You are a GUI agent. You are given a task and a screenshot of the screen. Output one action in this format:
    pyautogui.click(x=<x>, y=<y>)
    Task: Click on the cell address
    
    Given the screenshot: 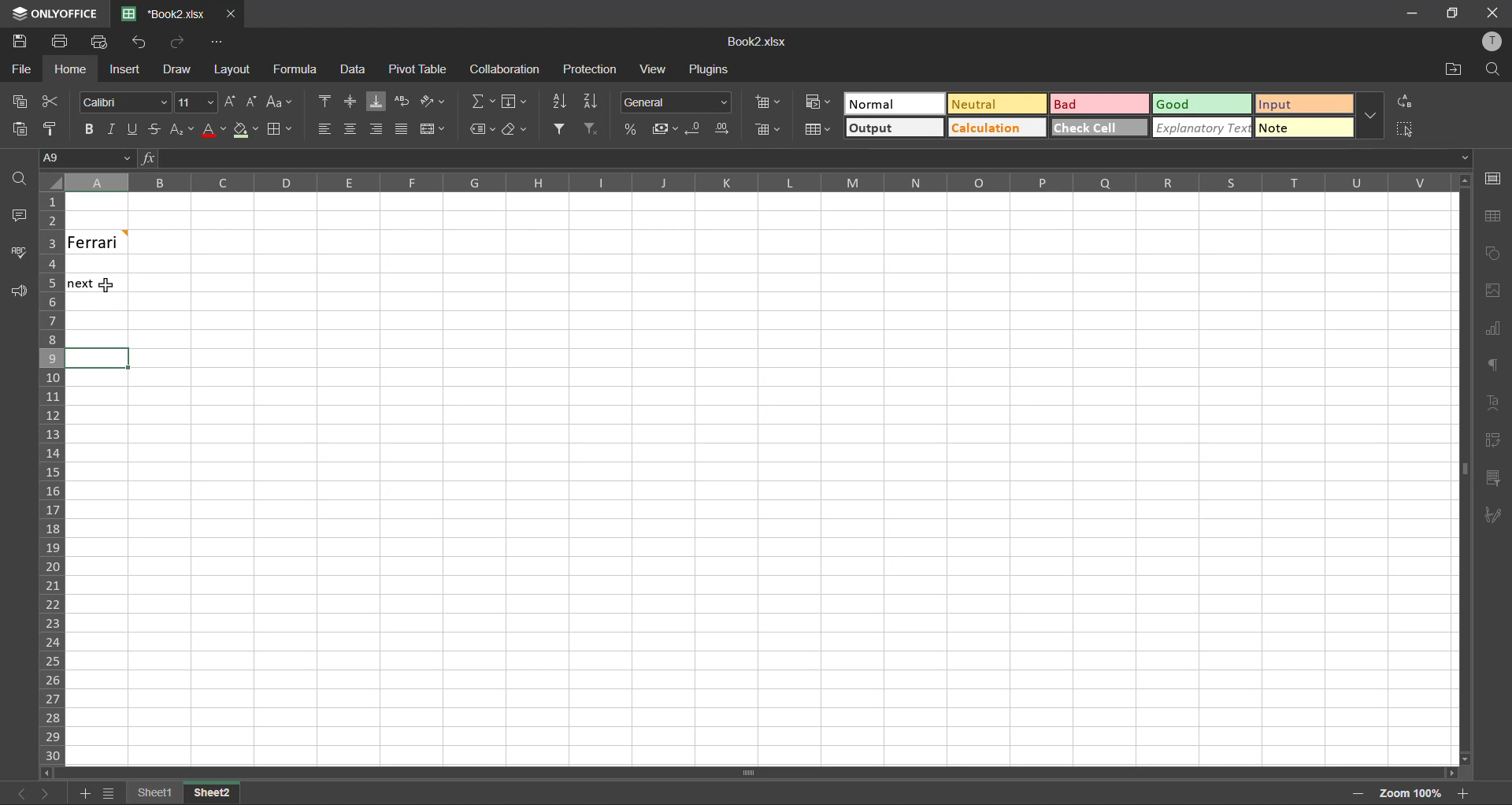 What is the action you would take?
    pyautogui.click(x=86, y=158)
    